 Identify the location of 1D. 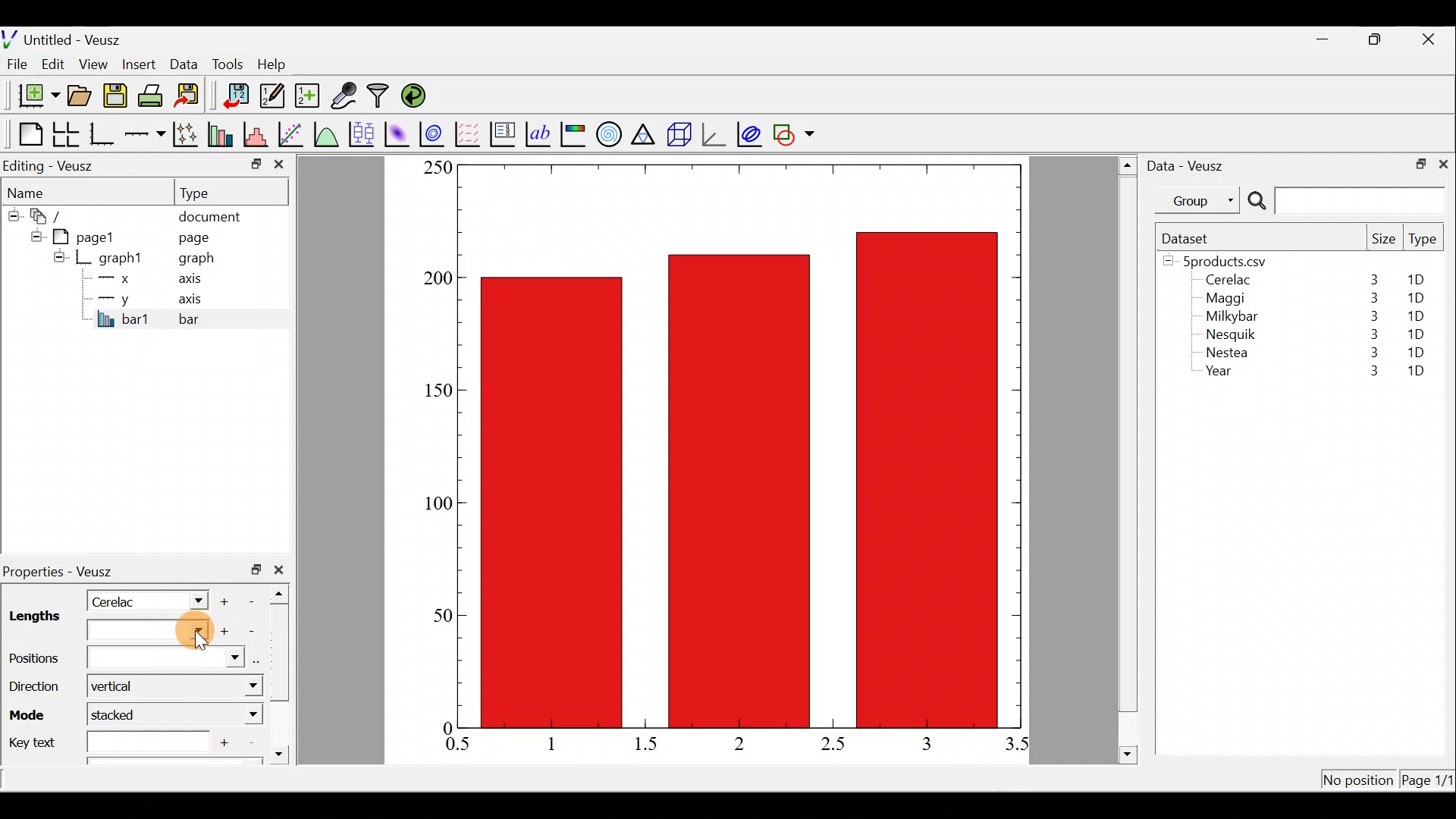
(1418, 331).